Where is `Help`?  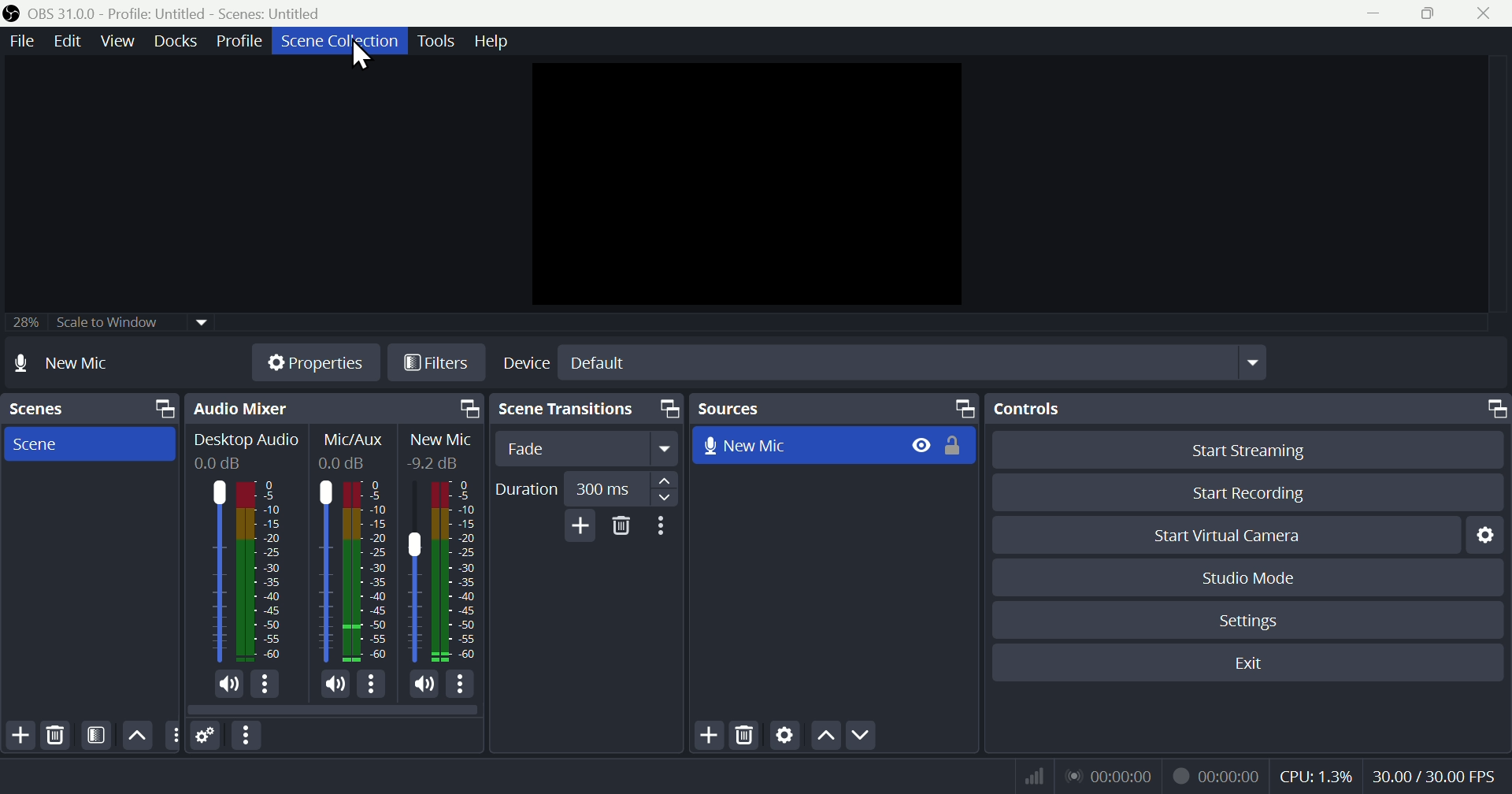
Help is located at coordinates (494, 43).